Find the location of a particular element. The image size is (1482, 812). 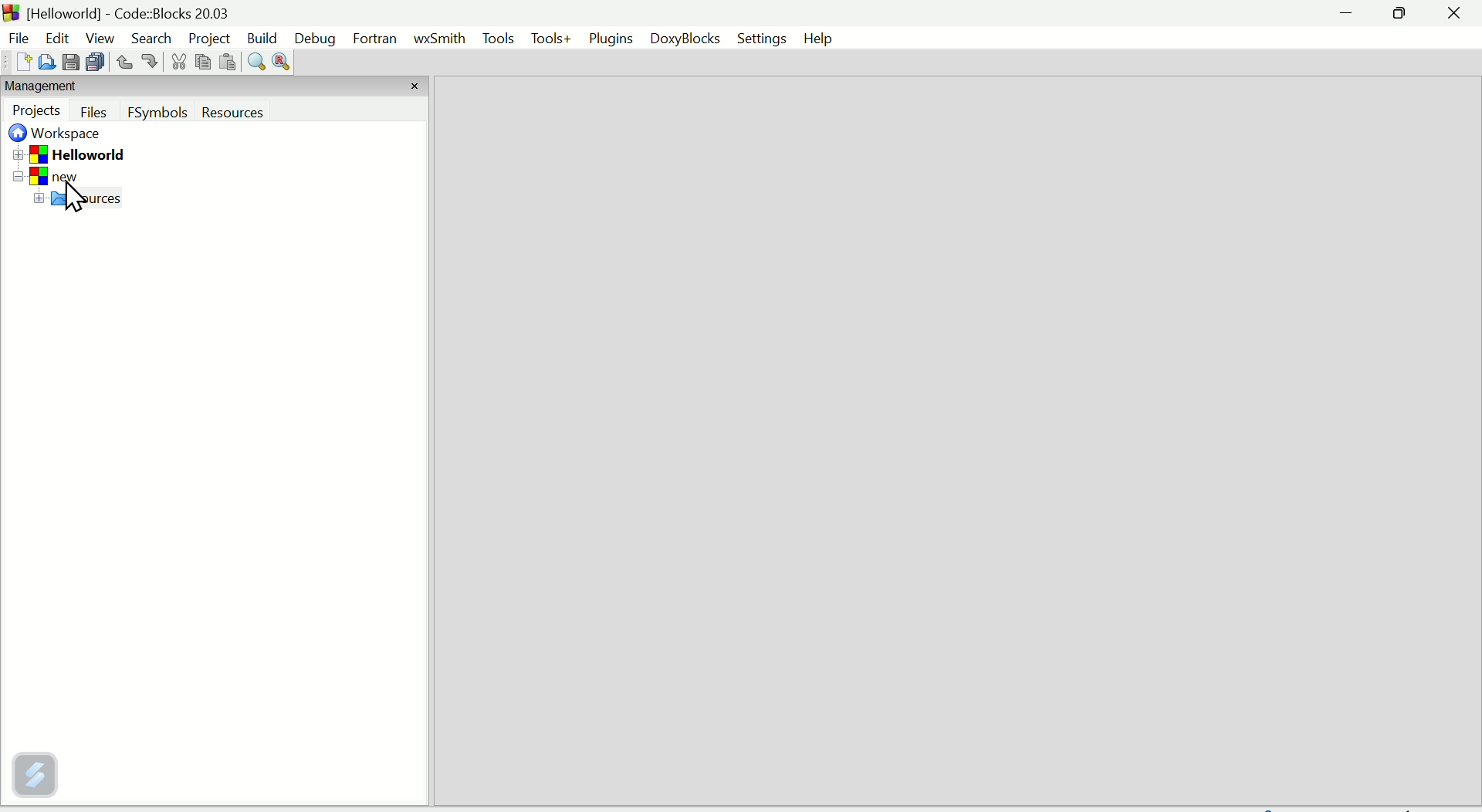

Cut is located at coordinates (175, 64).